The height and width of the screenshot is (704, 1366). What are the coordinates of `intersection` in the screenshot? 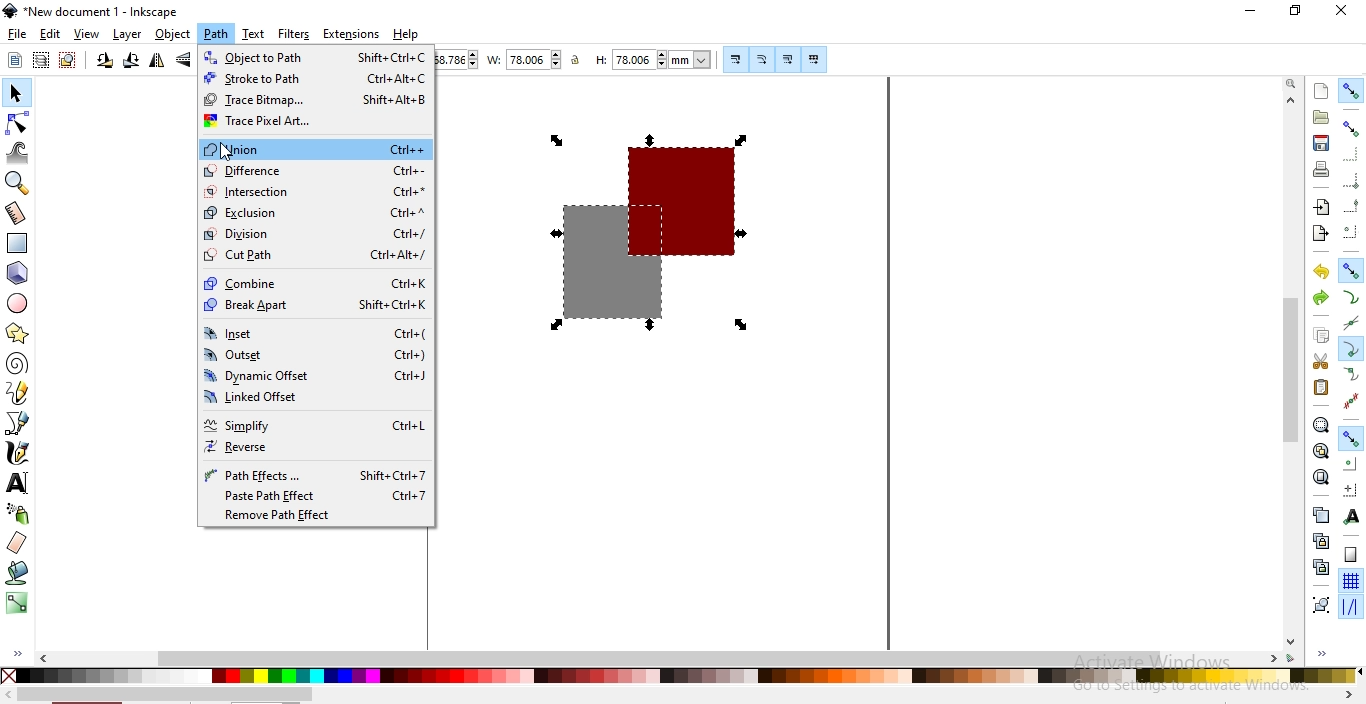 It's located at (313, 191).